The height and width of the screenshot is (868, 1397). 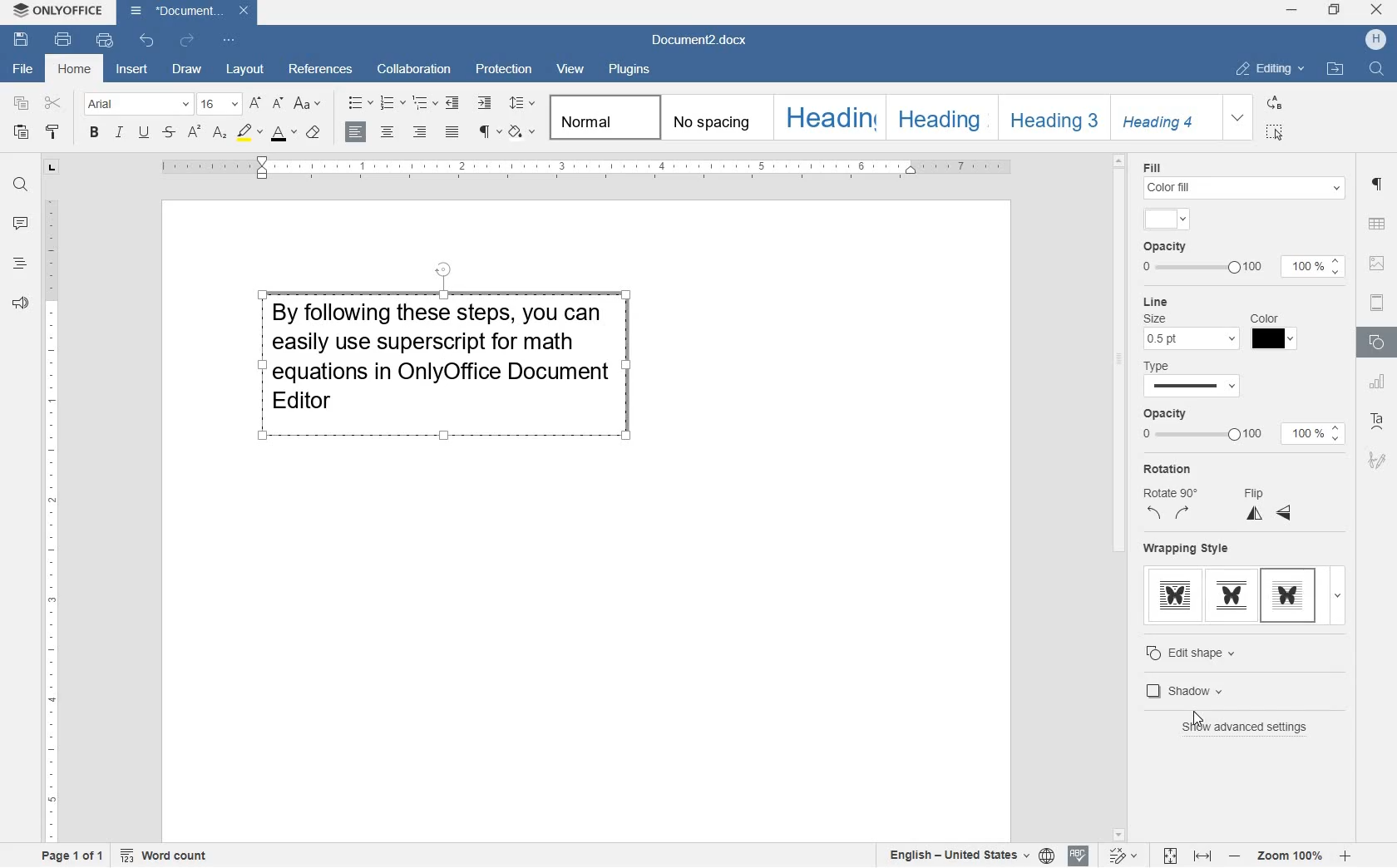 I want to click on increase indent, so click(x=485, y=103).